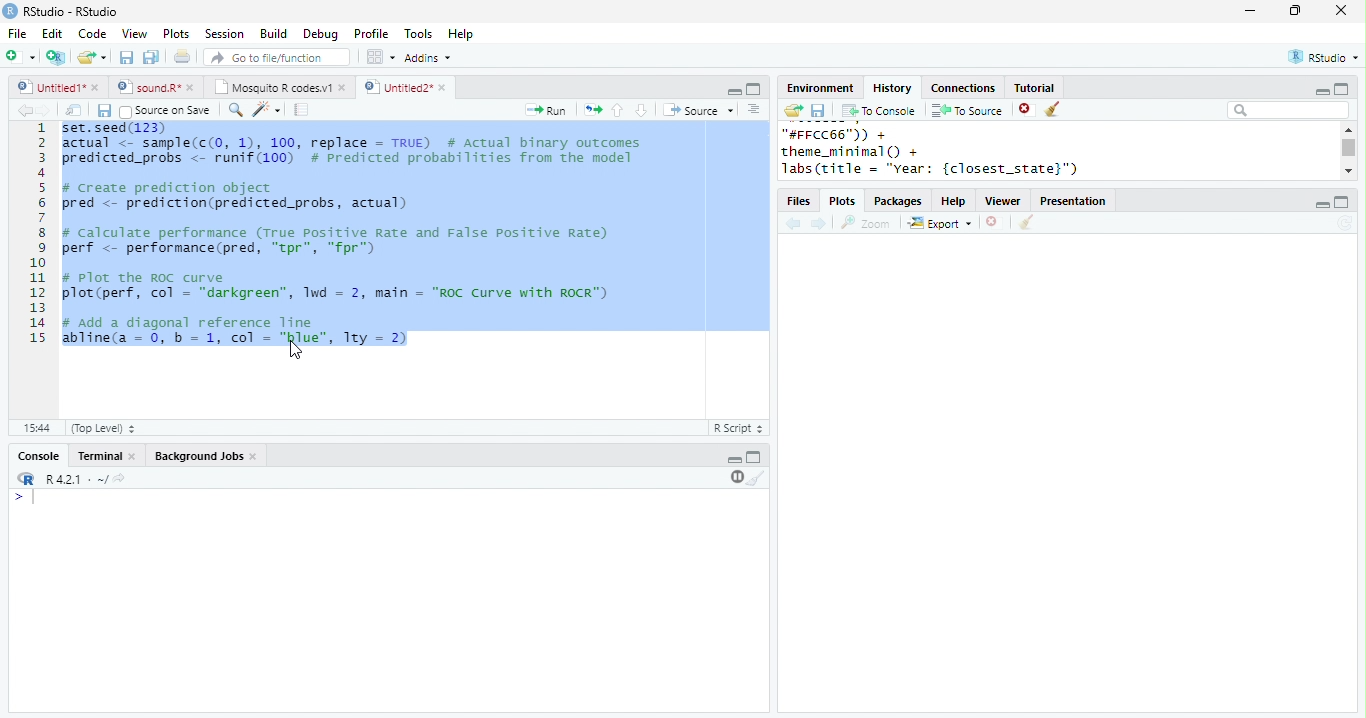  I want to click on Presentation, so click(1073, 201).